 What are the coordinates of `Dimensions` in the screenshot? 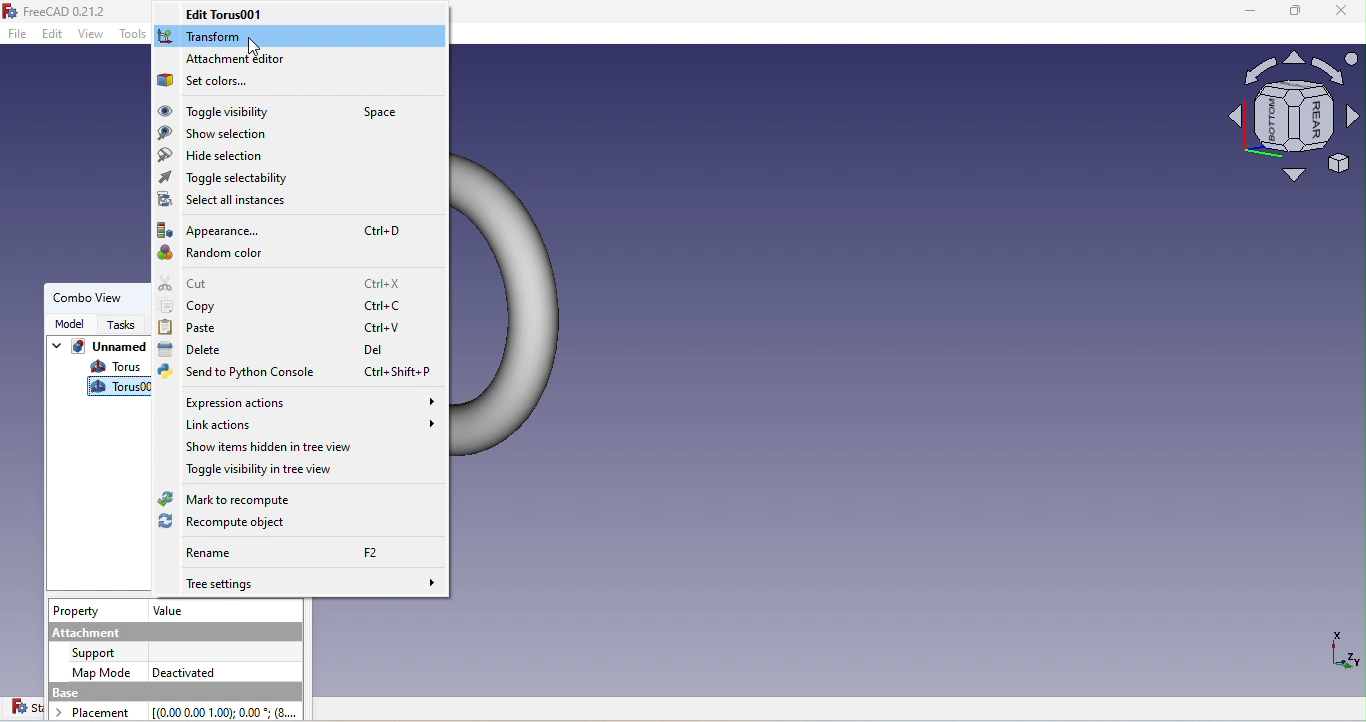 It's located at (1341, 656).